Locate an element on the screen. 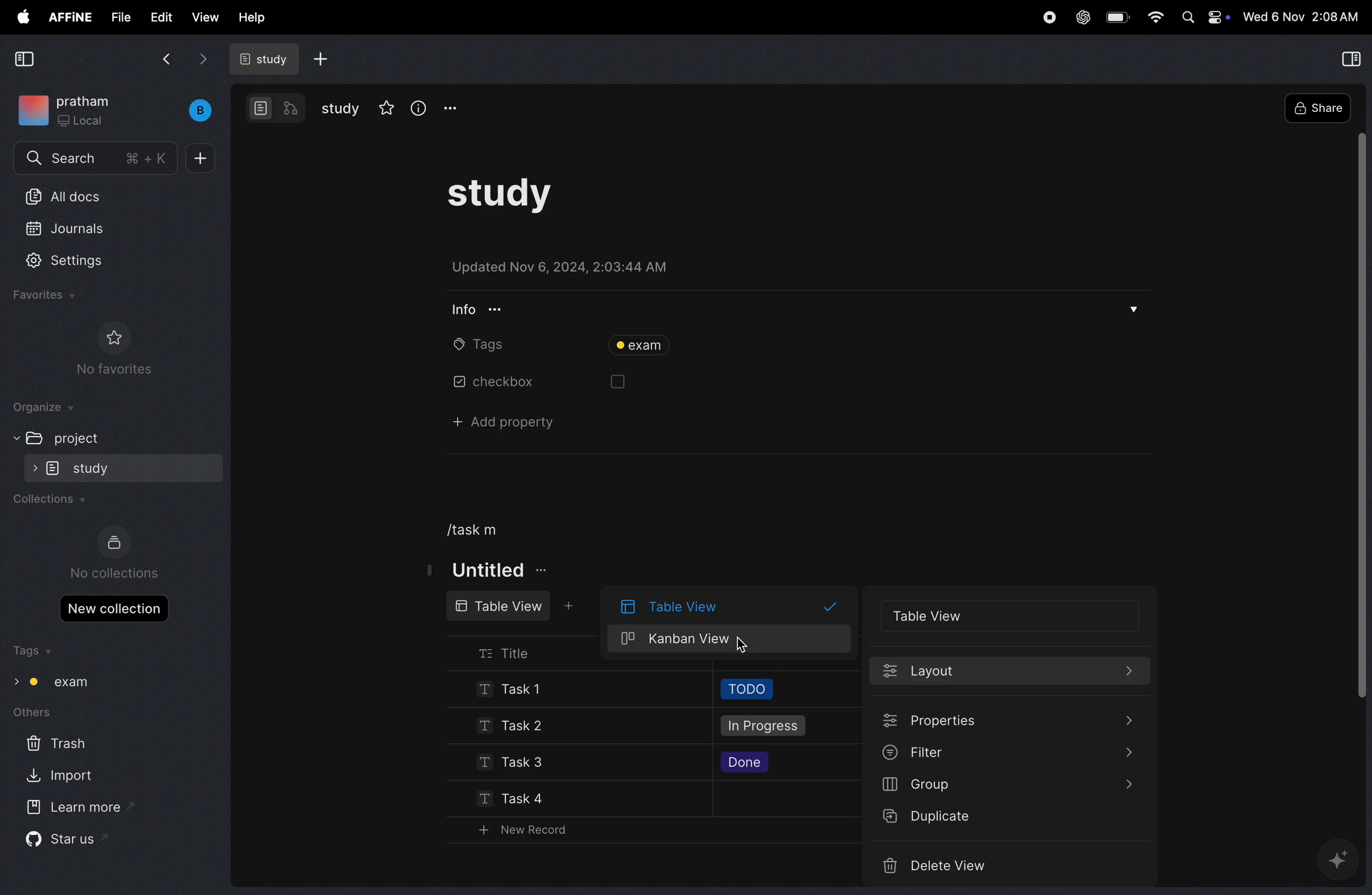  study task is located at coordinates (518, 194).